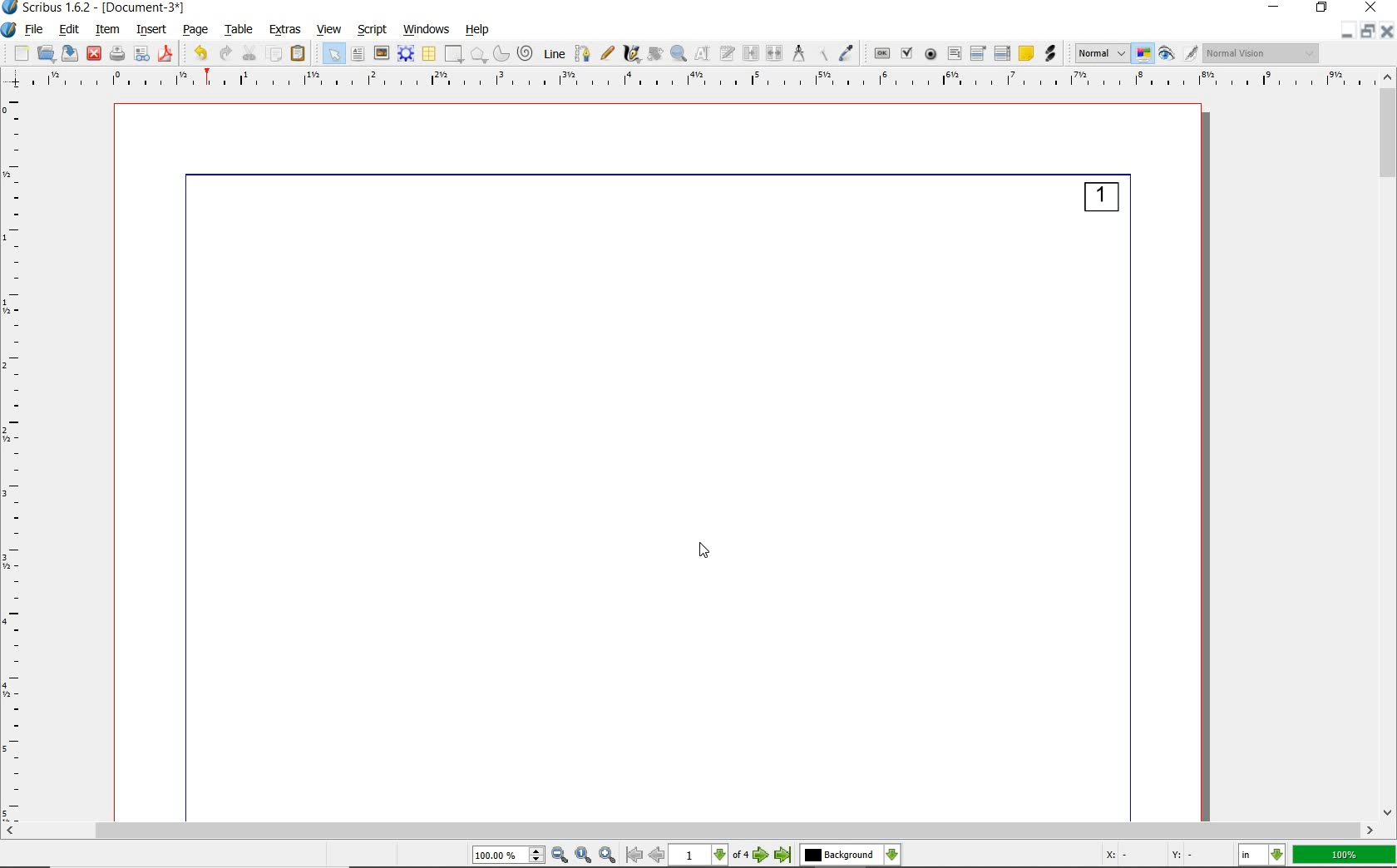 The image size is (1397, 868). What do you see at coordinates (36, 29) in the screenshot?
I see `file` at bounding box center [36, 29].